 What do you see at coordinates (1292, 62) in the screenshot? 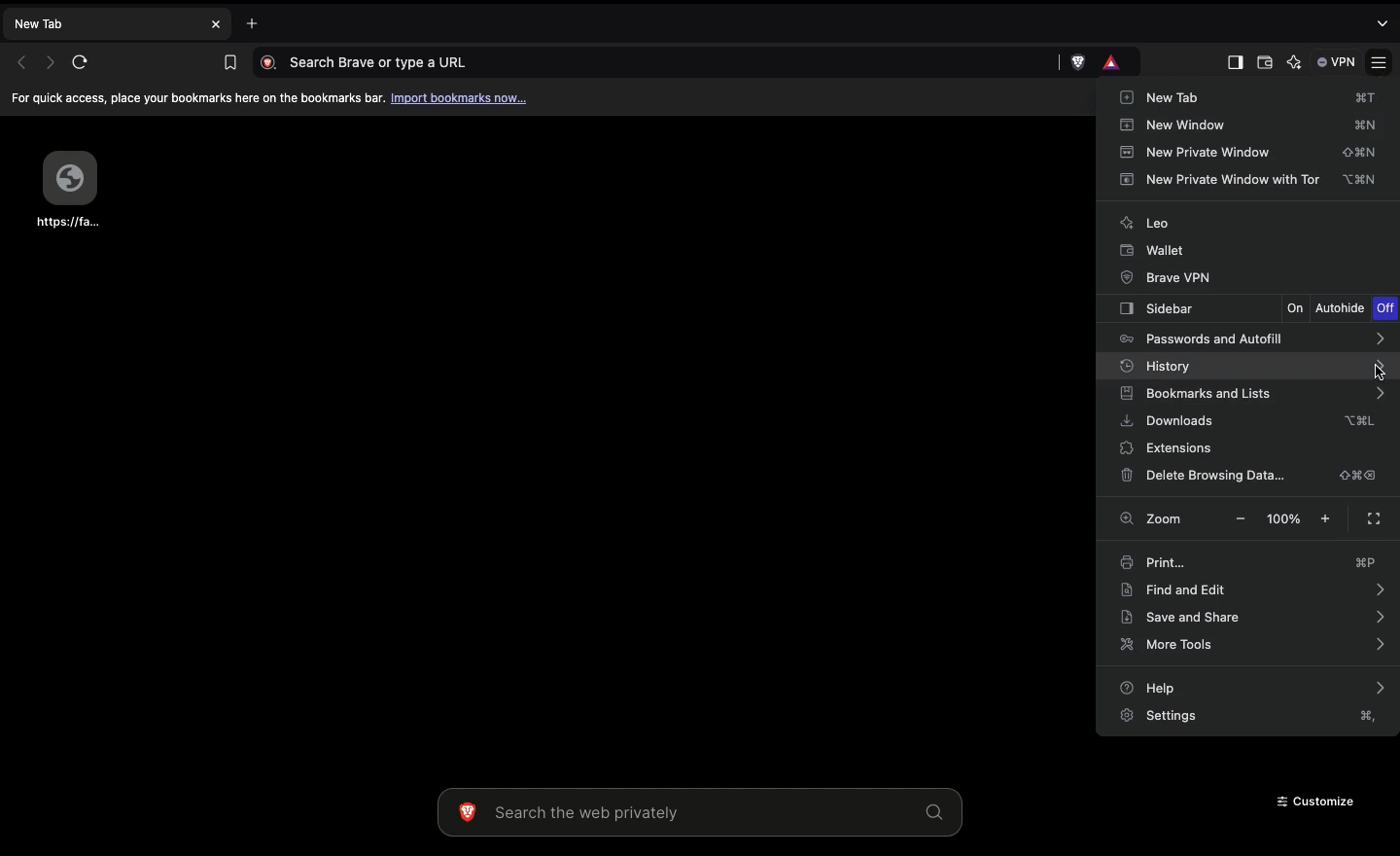
I see `AI` at bounding box center [1292, 62].